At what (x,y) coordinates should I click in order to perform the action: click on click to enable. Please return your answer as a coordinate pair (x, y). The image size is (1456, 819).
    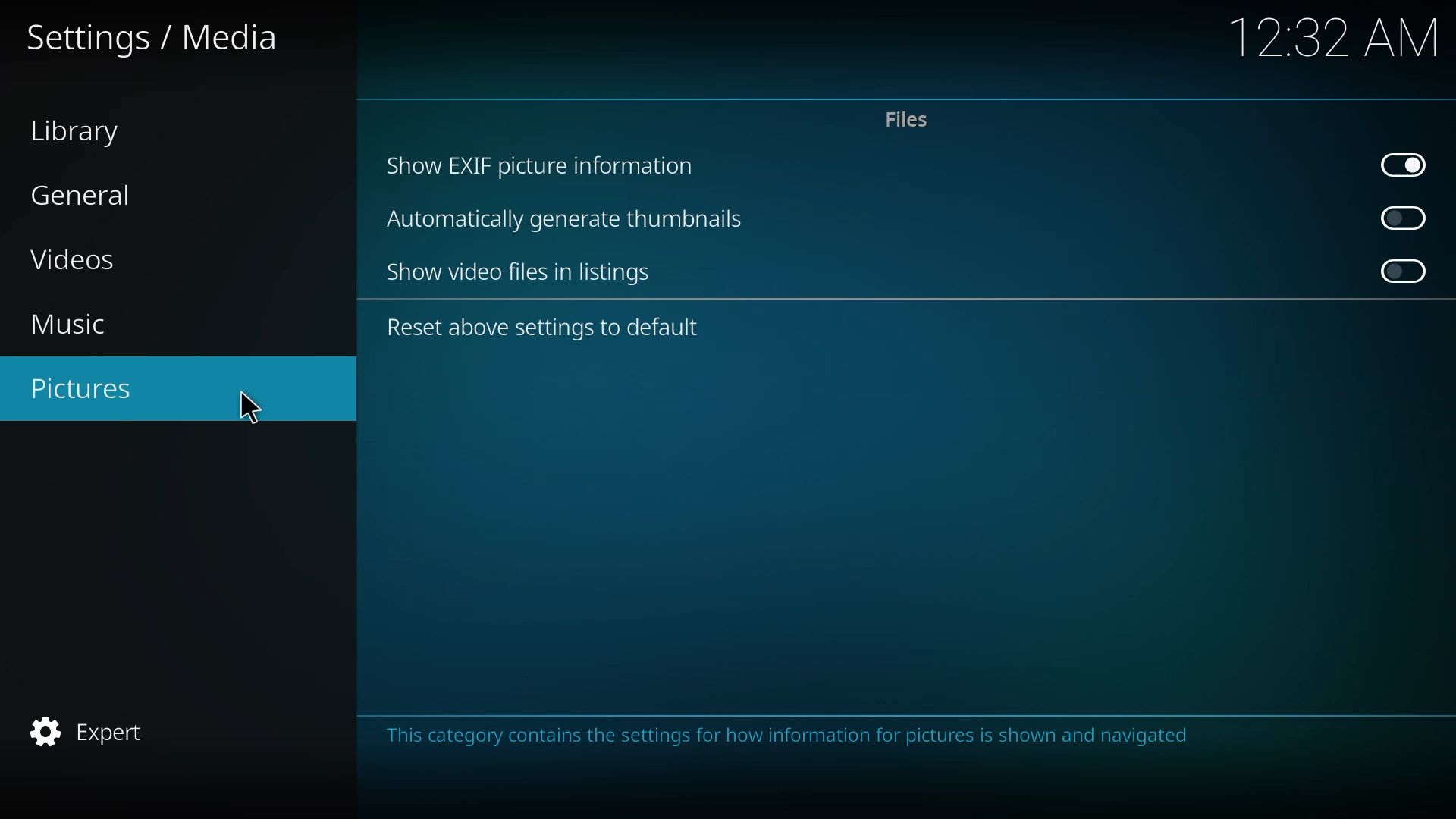
    Looking at the image, I should click on (1406, 271).